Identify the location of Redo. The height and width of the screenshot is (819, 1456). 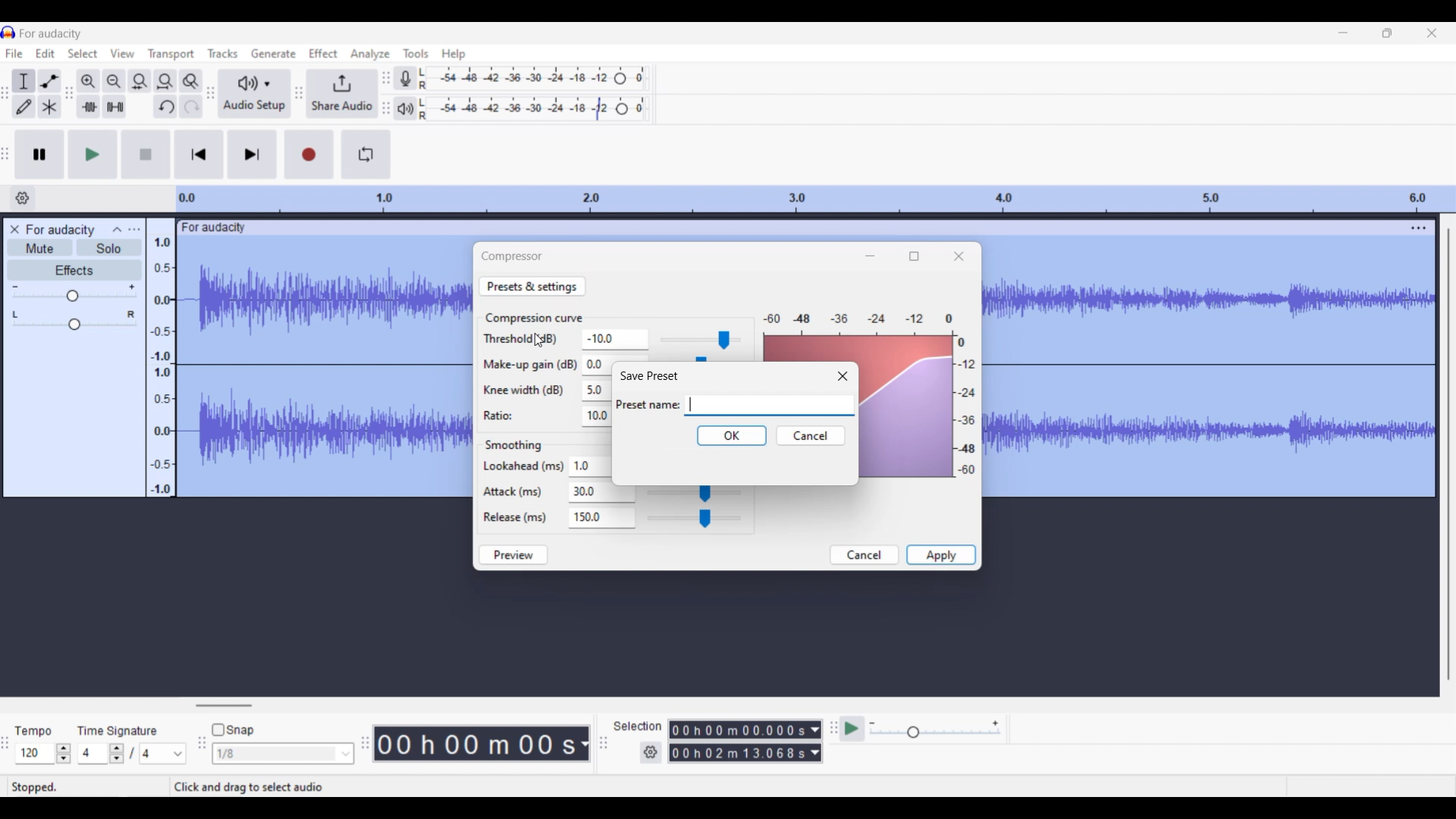
(191, 106).